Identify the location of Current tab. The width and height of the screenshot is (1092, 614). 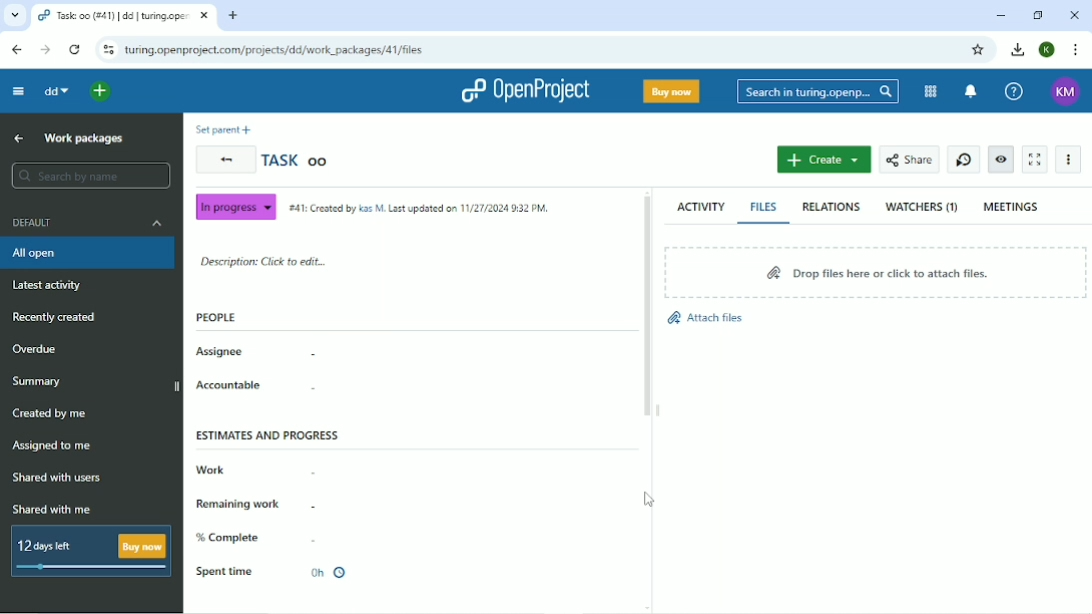
(124, 15).